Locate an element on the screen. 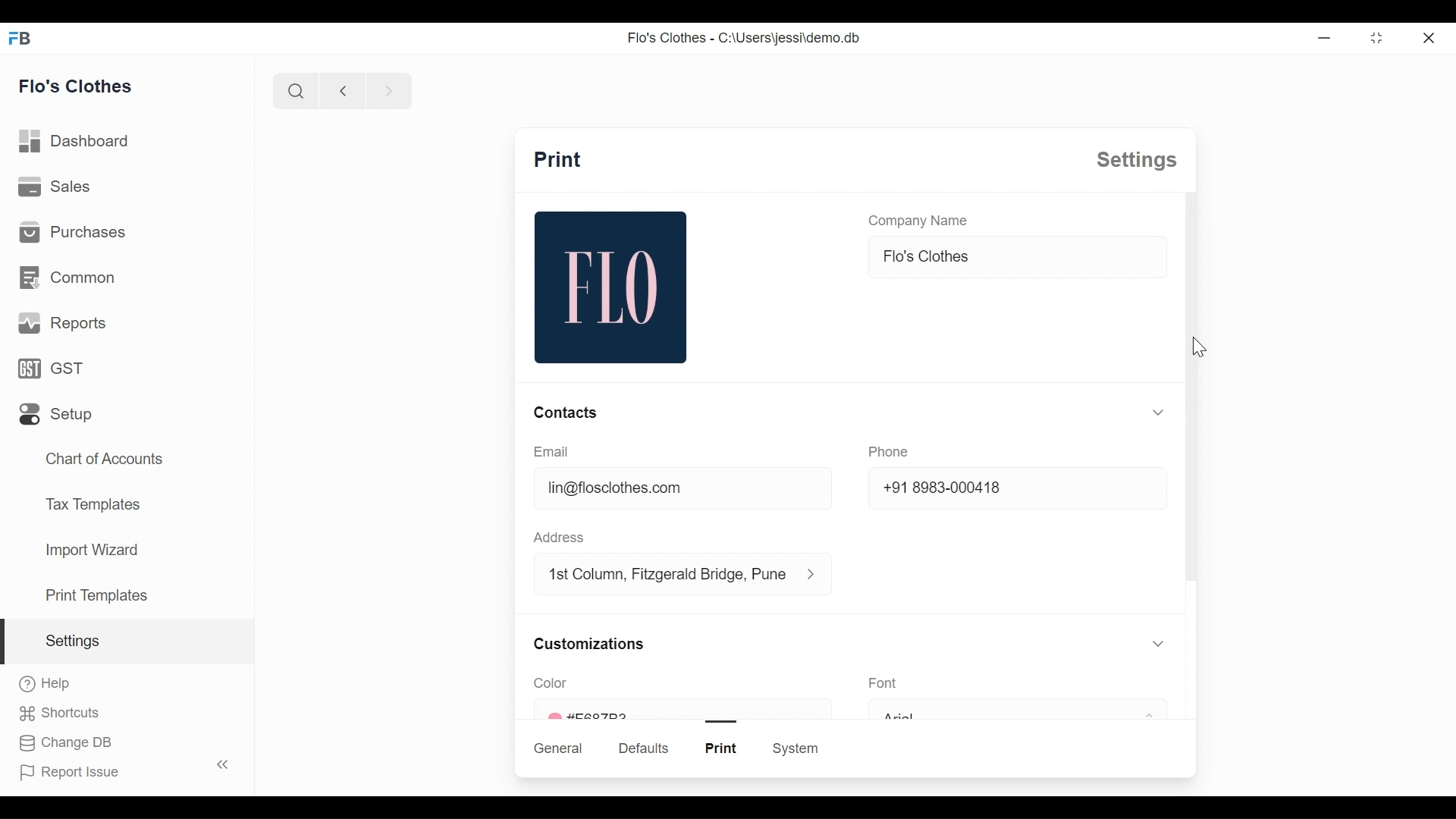 This screenshot has height=819, width=1456. common is located at coordinates (67, 278).